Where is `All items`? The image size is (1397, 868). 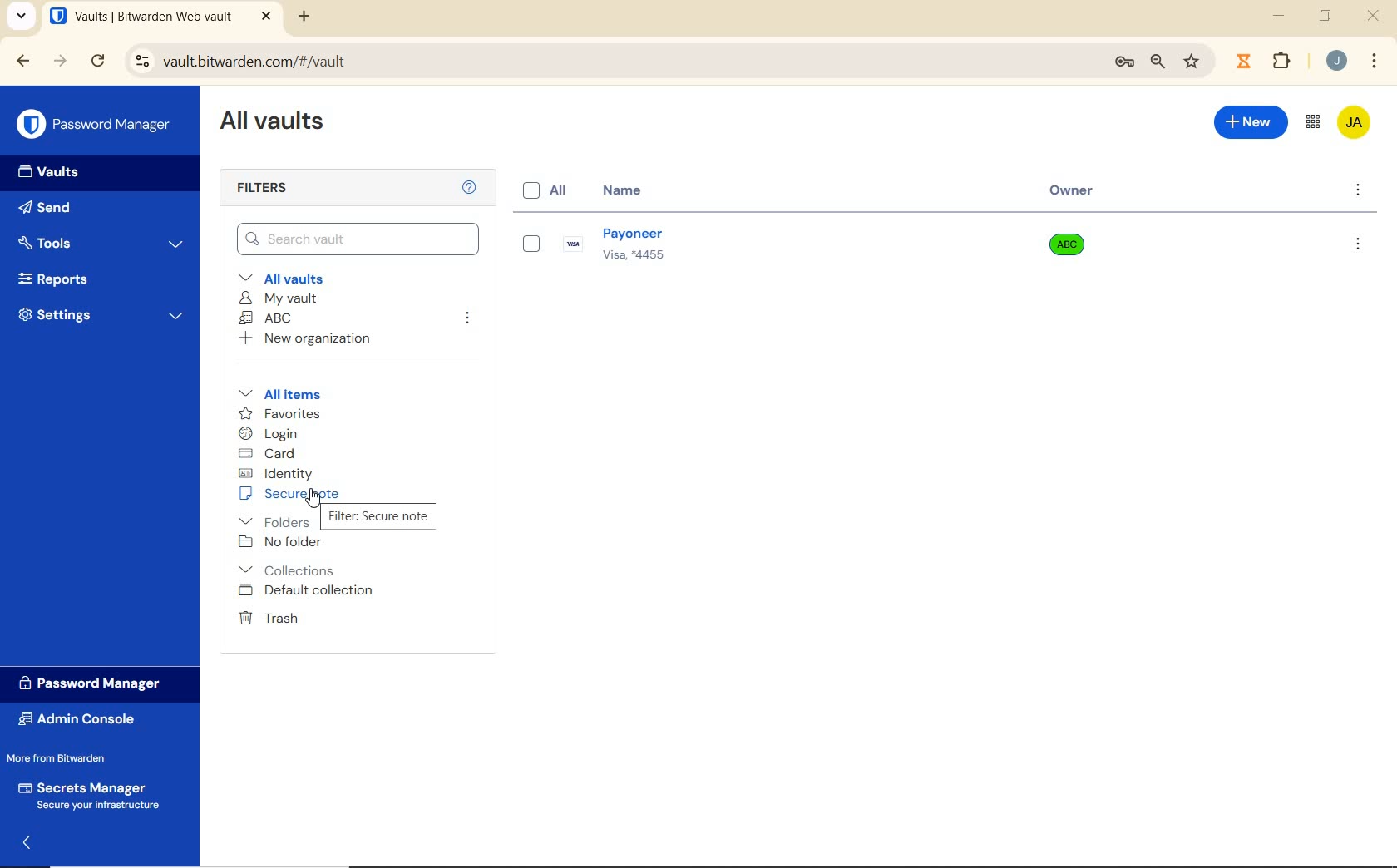 All items is located at coordinates (290, 392).